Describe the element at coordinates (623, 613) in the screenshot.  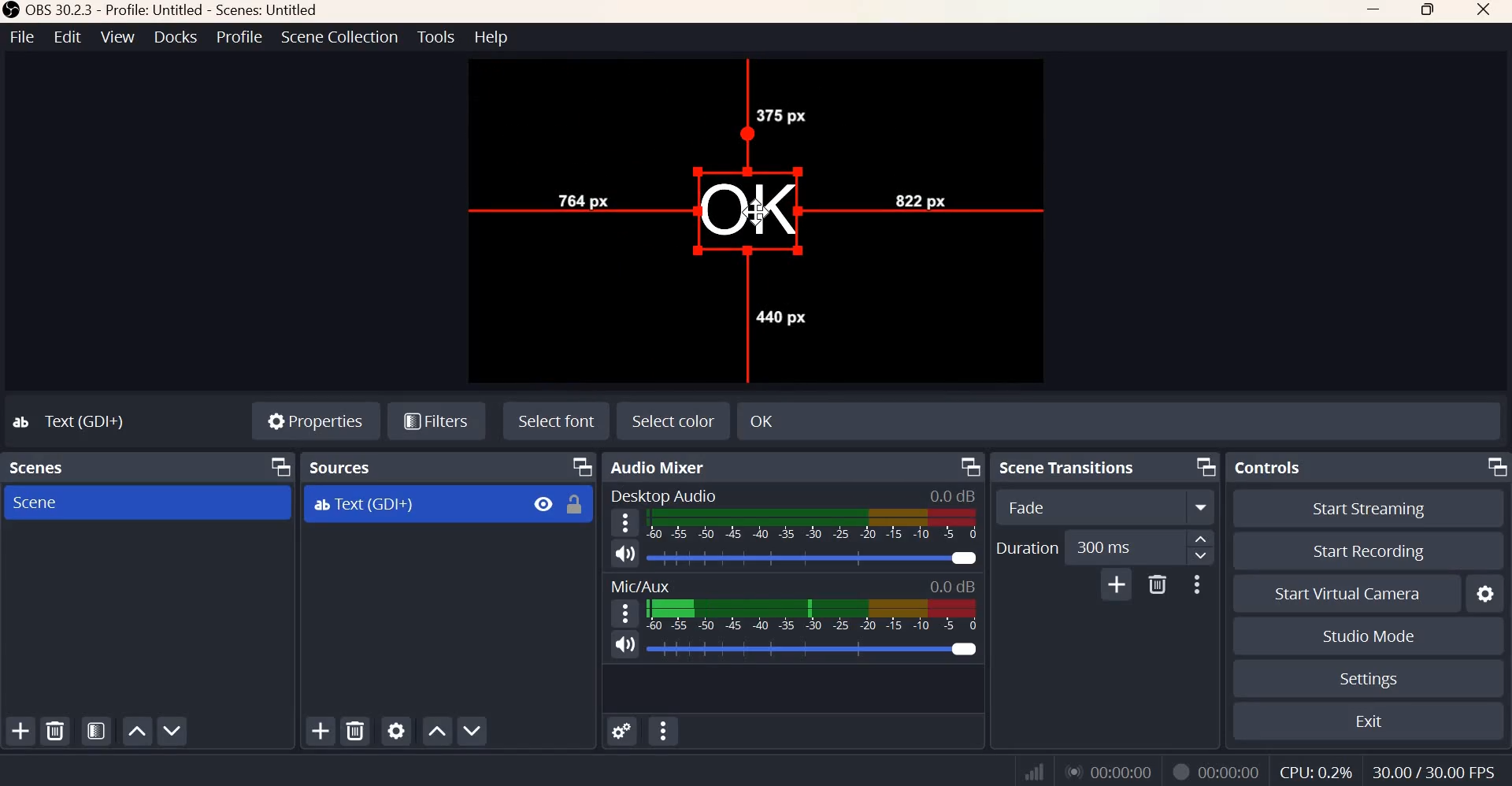
I see `hamburger menu` at that location.